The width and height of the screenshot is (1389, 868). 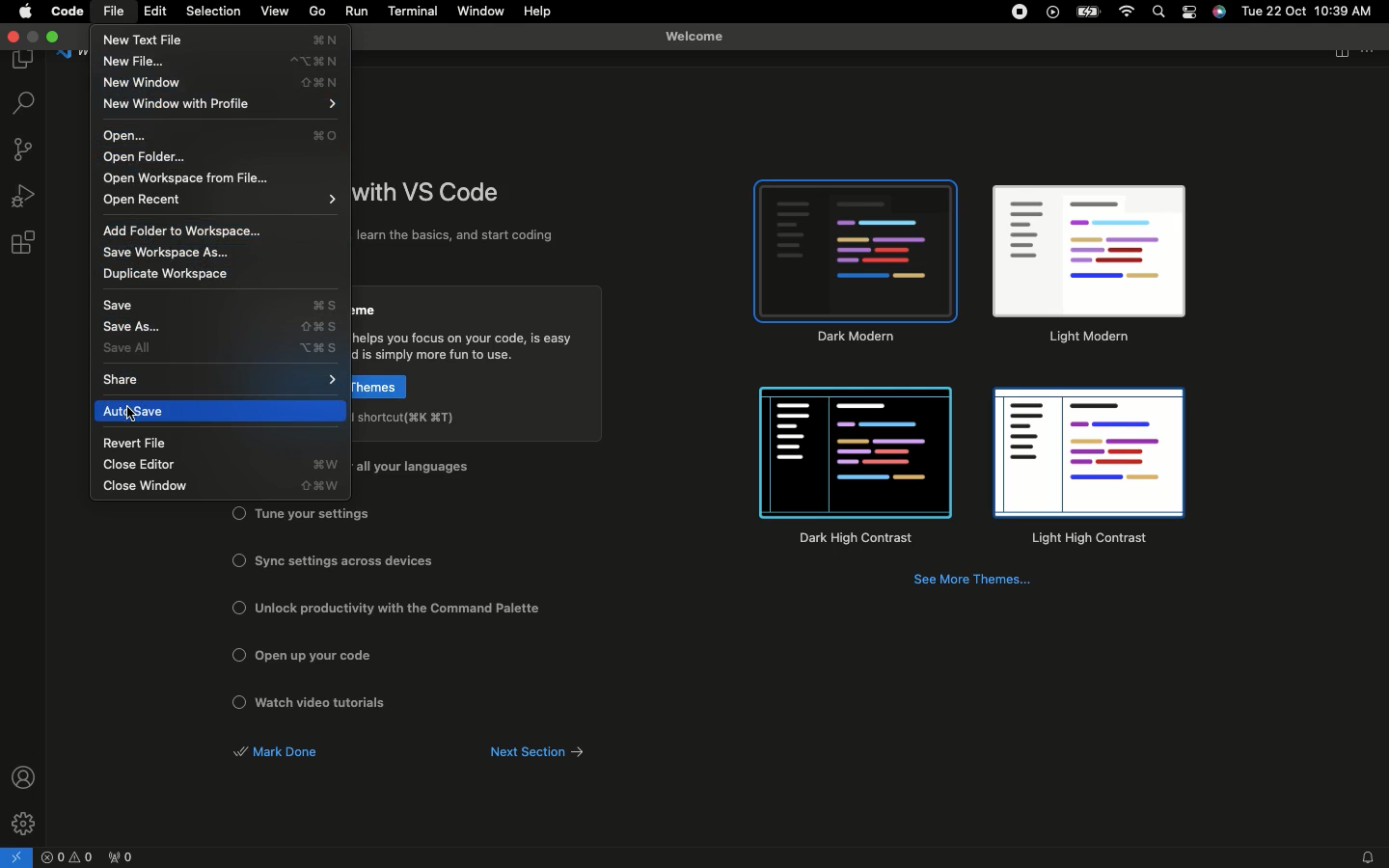 What do you see at coordinates (34, 38) in the screenshot?
I see `minimize` at bounding box center [34, 38].